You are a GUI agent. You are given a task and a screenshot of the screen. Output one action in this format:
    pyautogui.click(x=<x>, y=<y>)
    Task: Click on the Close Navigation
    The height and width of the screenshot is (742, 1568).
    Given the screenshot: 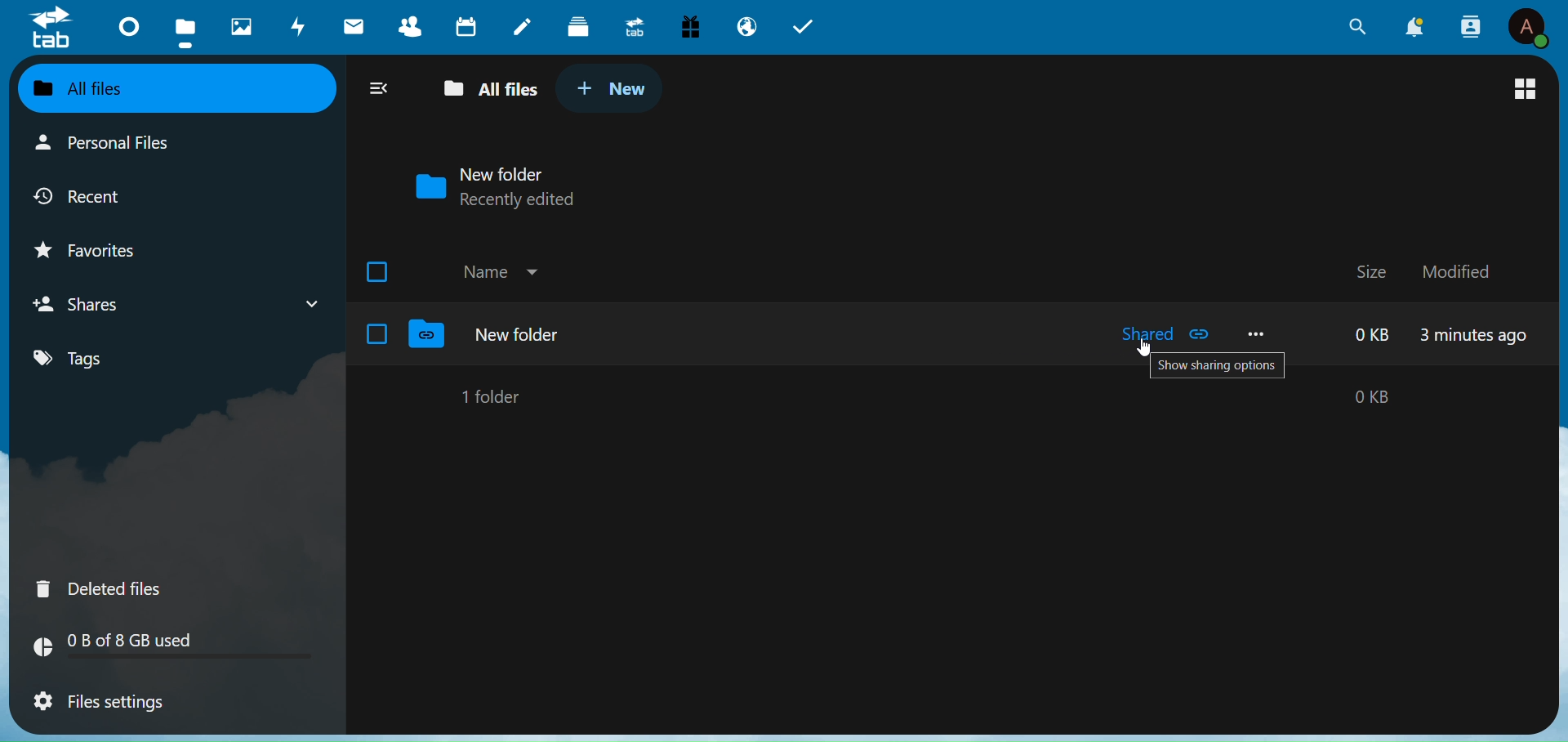 What is the action you would take?
    pyautogui.click(x=378, y=87)
    